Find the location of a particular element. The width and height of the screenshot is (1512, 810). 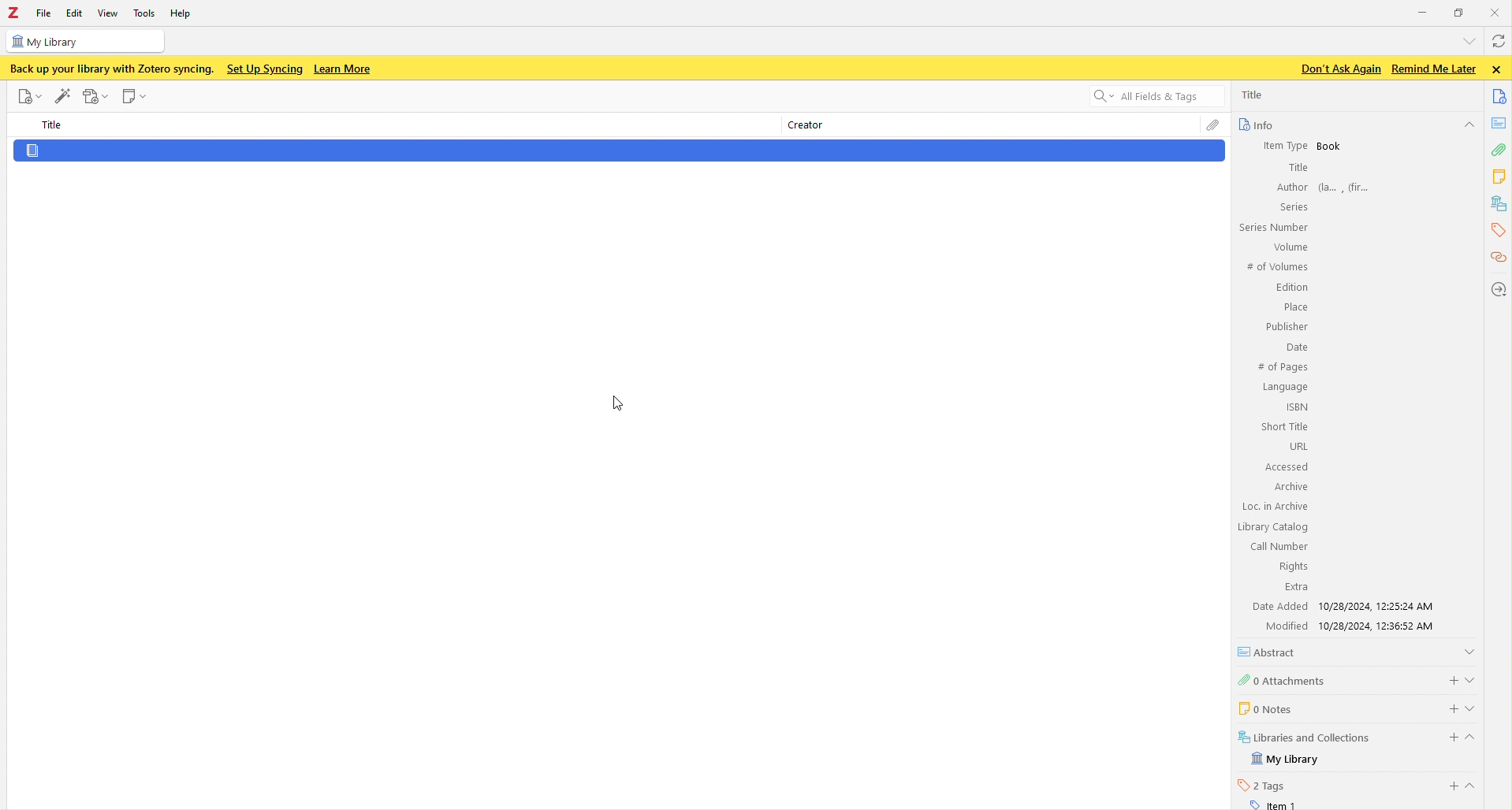

Loc. in Archive is located at coordinates (1276, 507).